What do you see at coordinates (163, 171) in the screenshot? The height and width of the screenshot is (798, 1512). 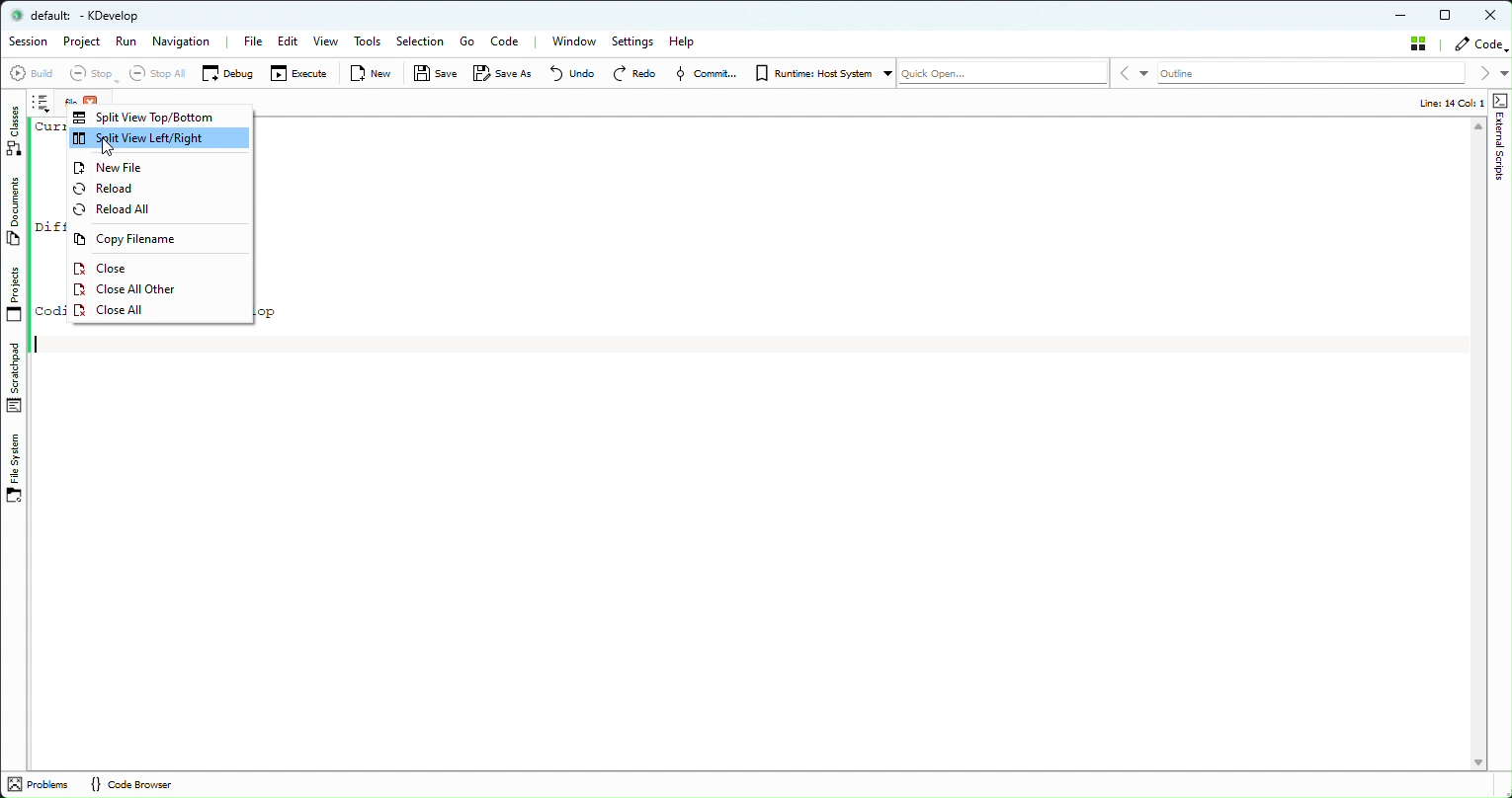 I see `New file` at bounding box center [163, 171].